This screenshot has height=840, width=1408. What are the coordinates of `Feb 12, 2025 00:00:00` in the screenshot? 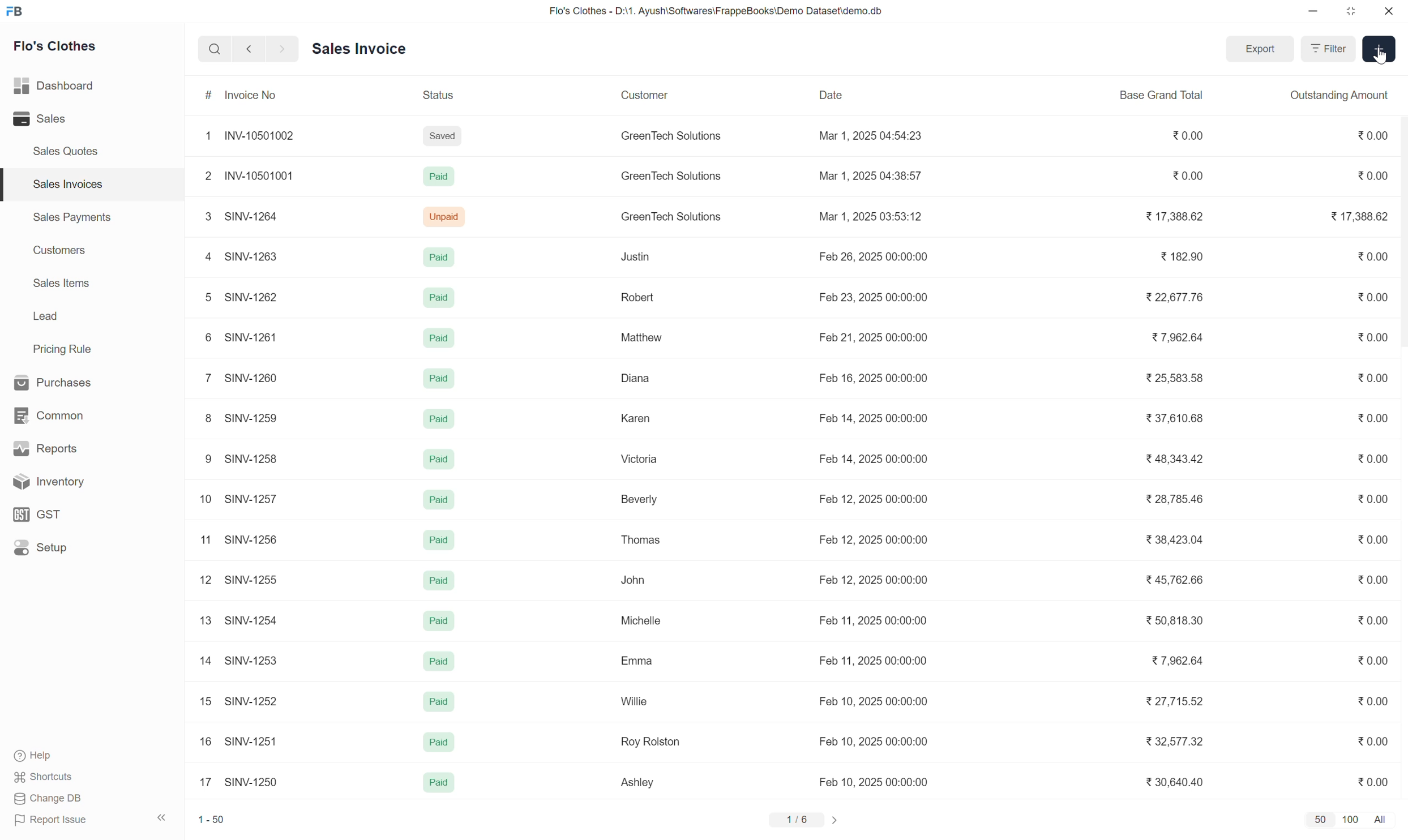 It's located at (874, 580).